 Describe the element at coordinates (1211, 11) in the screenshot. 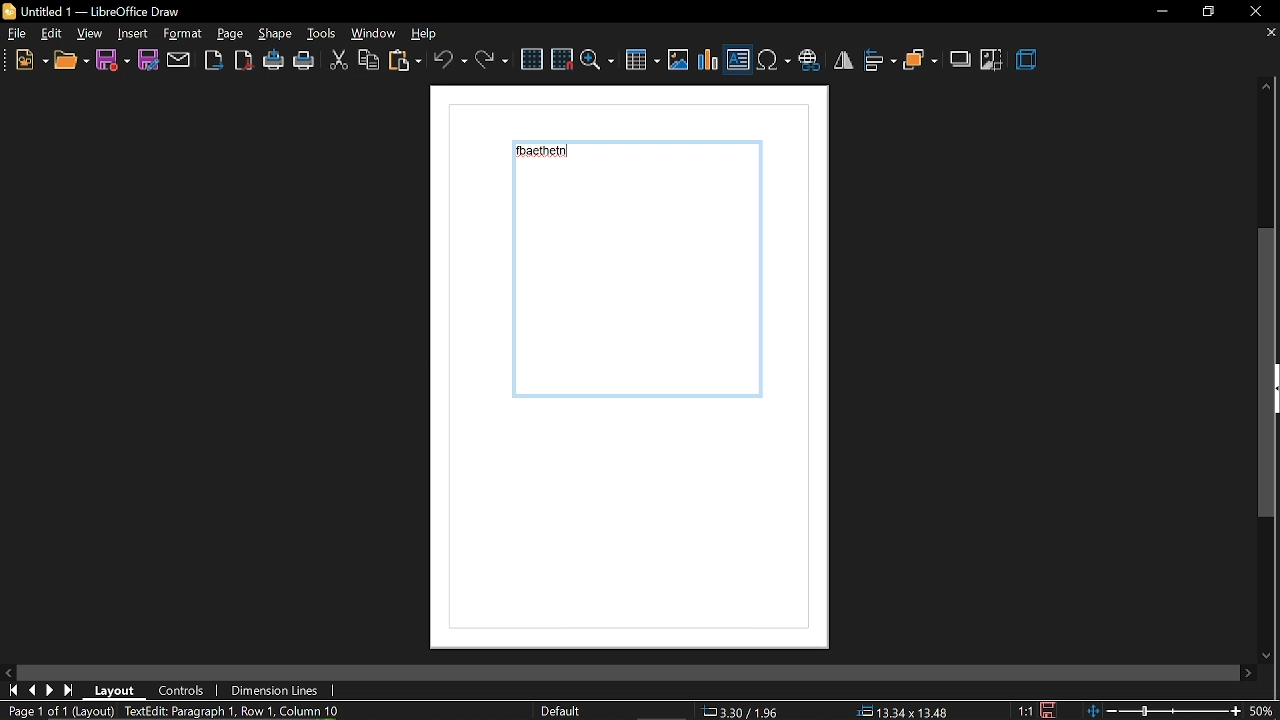

I see `restore down` at that location.